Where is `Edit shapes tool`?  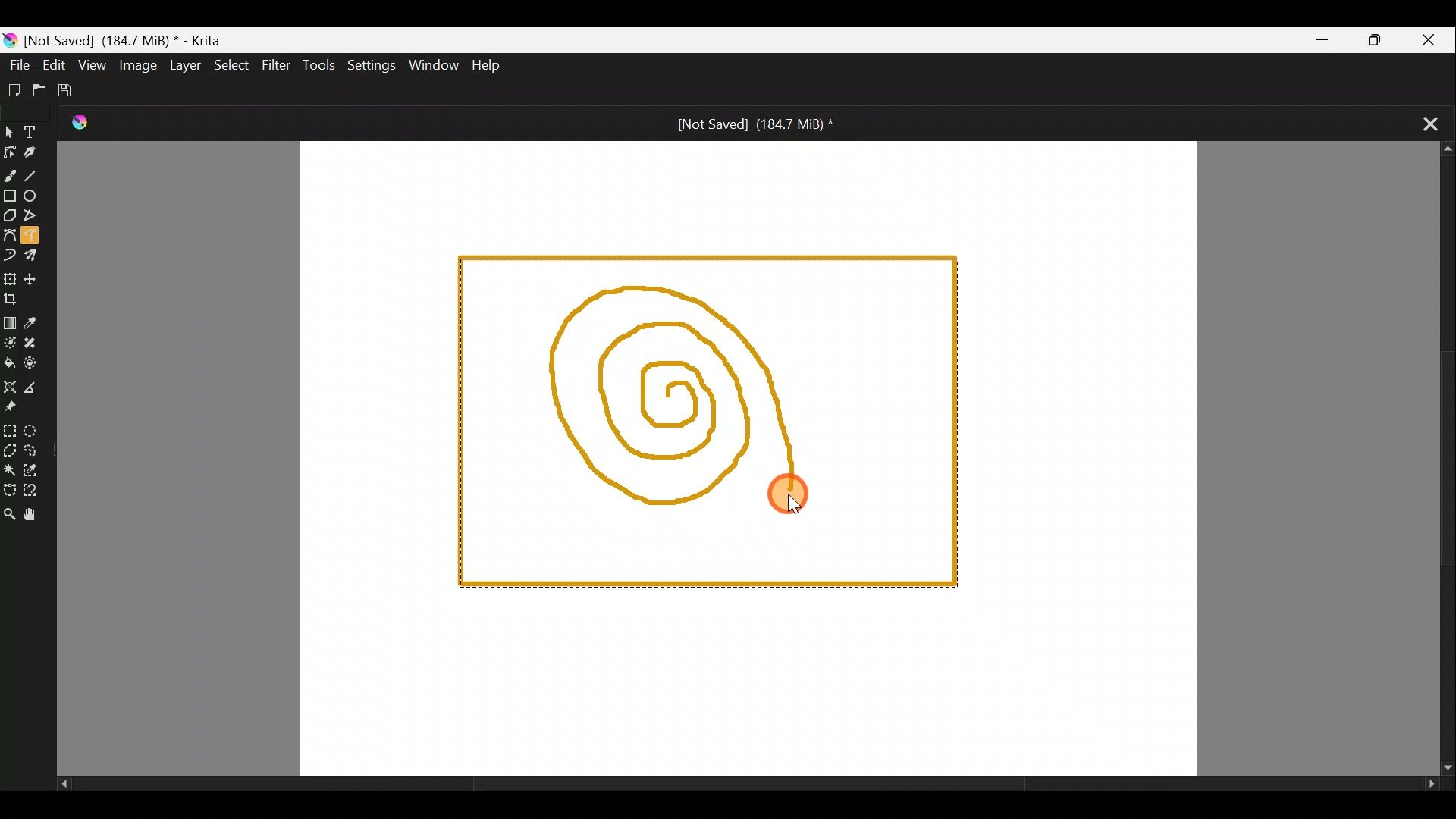 Edit shapes tool is located at coordinates (9, 152).